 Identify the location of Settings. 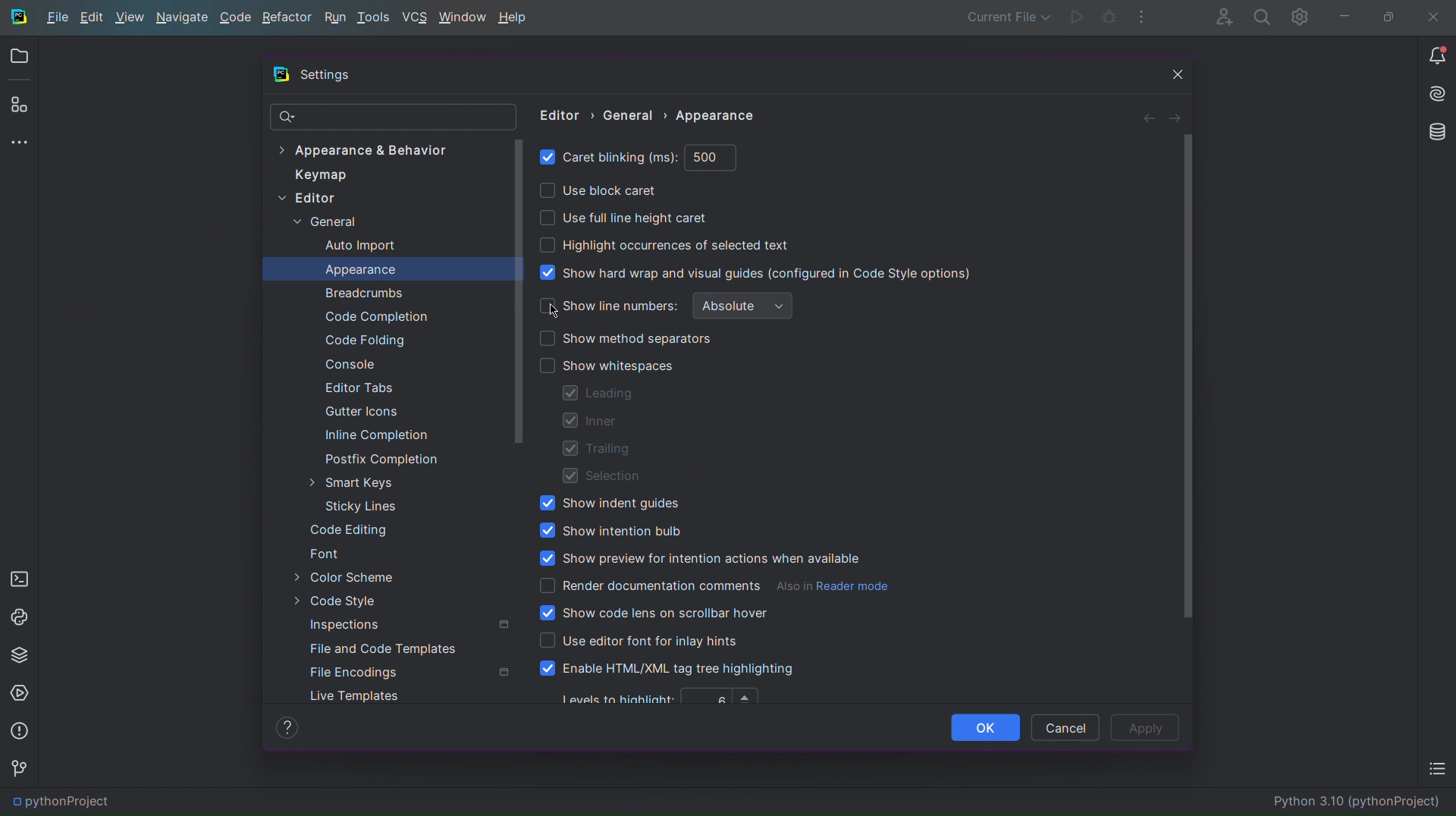
(331, 77).